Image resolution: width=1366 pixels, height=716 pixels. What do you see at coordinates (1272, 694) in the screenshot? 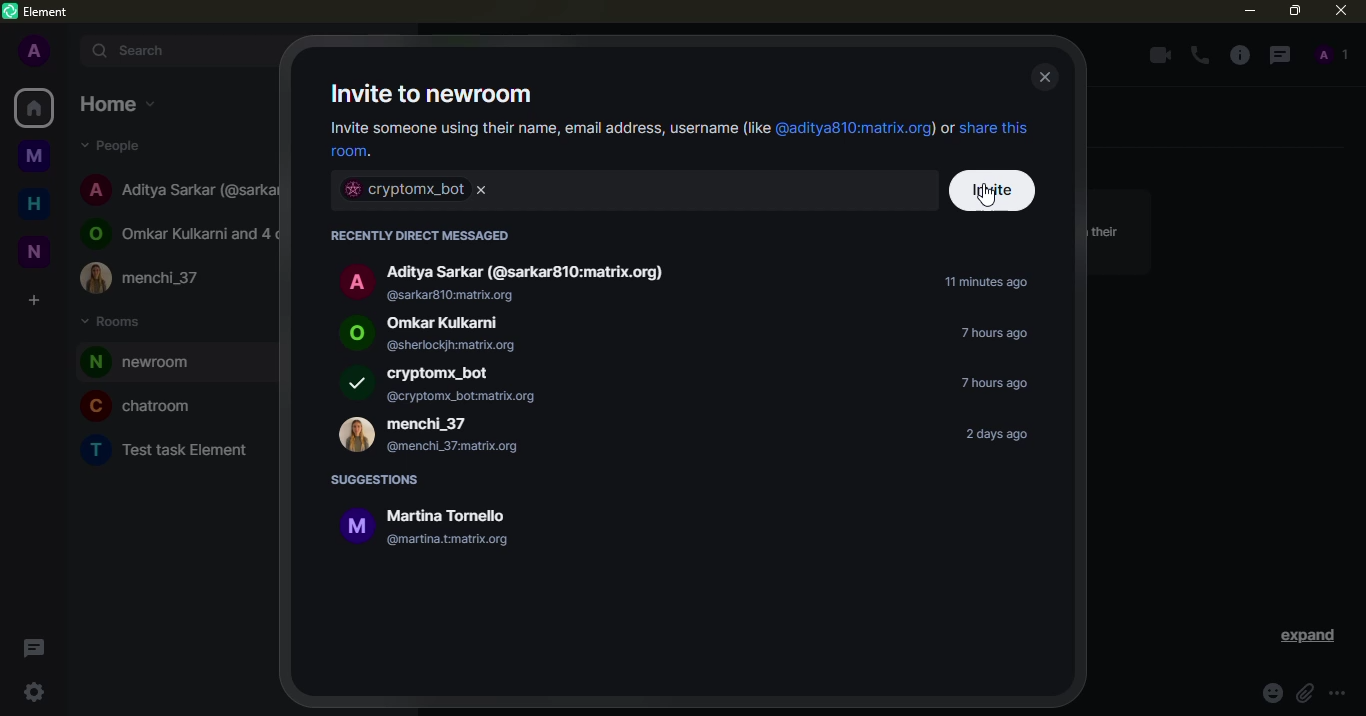
I see `emoji` at bounding box center [1272, 694].